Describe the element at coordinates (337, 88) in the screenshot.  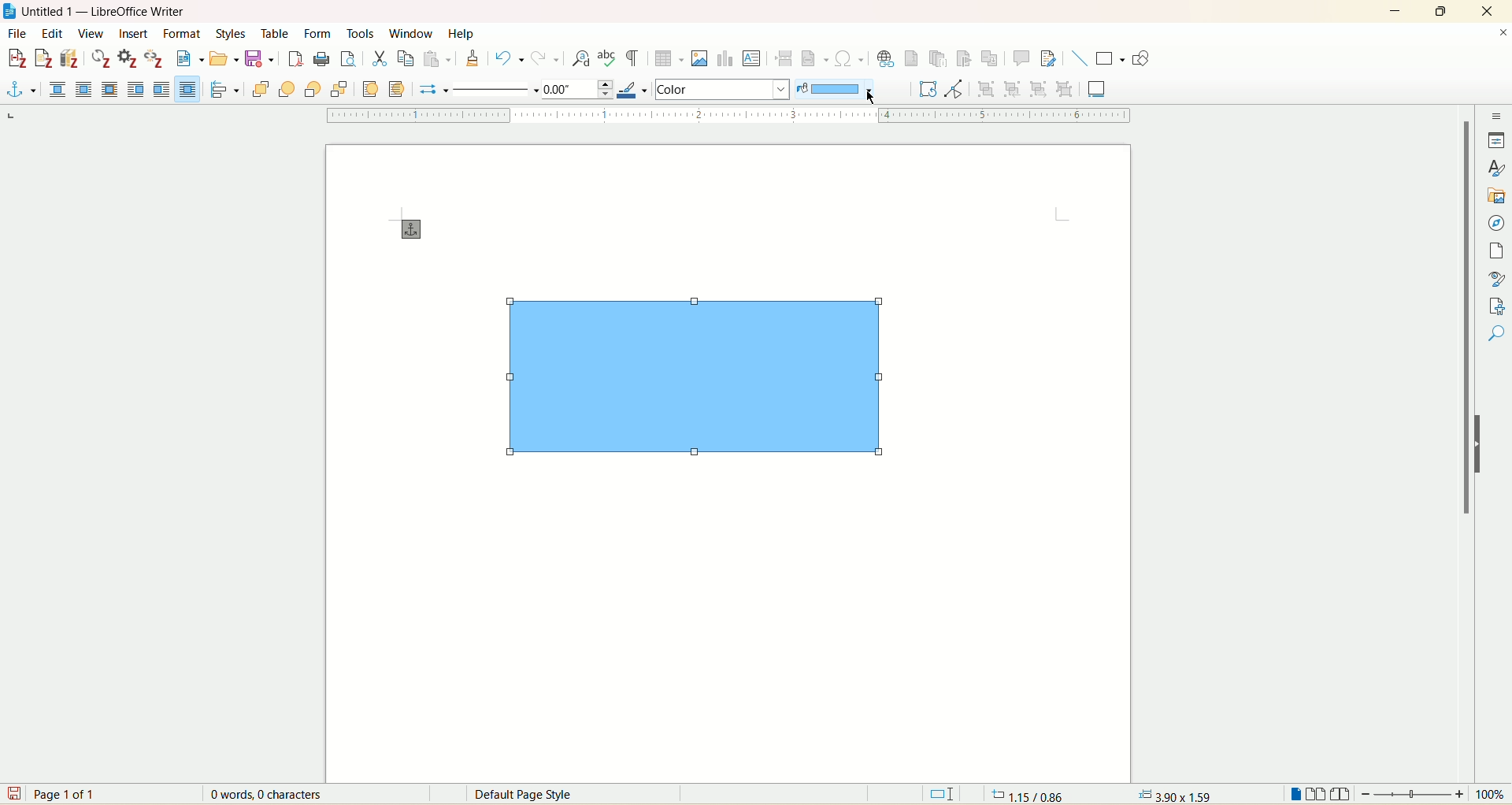
I see `send to back` at that location.